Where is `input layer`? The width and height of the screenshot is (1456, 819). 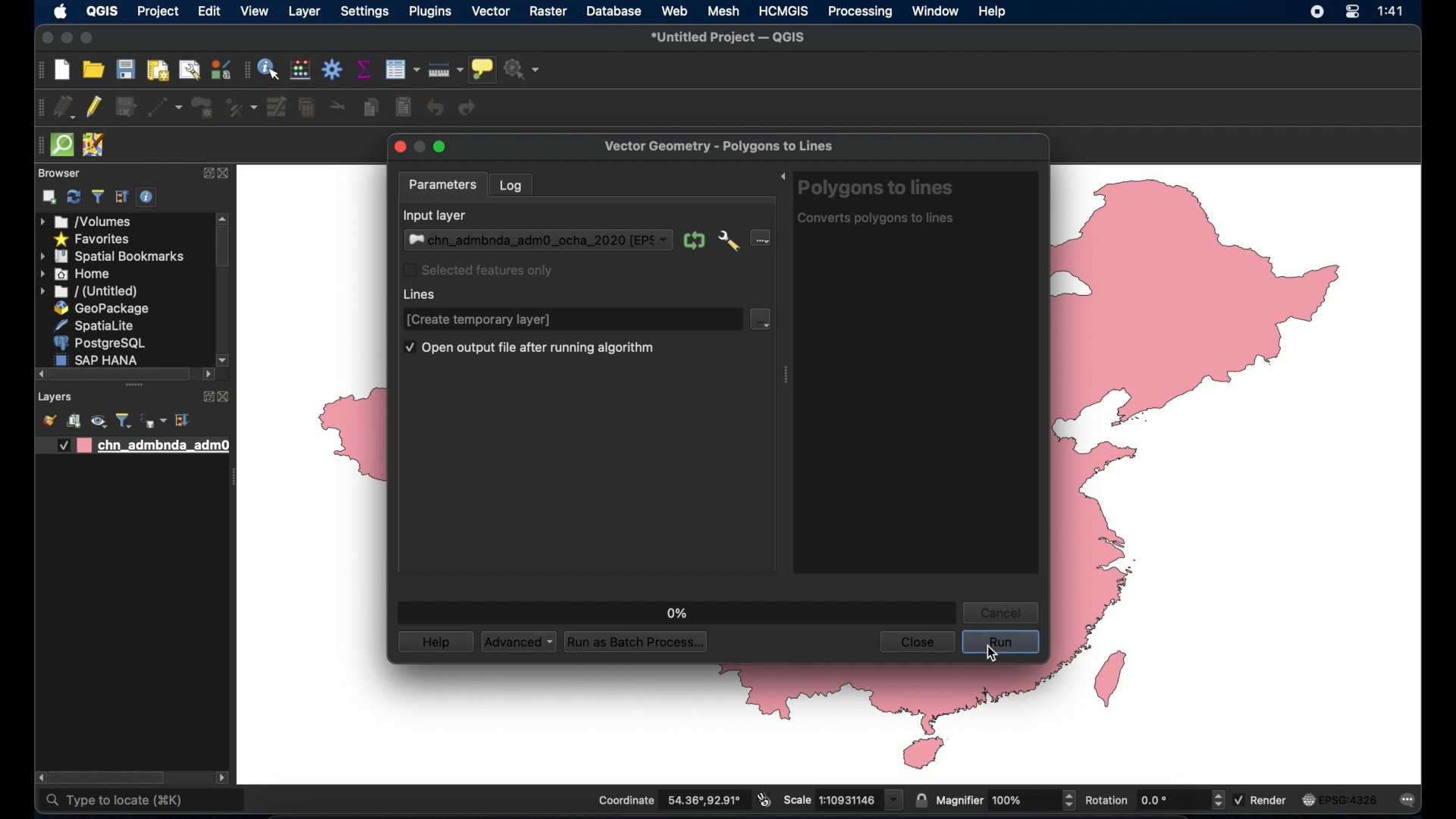
input layer is located at coordinates (438, 215).